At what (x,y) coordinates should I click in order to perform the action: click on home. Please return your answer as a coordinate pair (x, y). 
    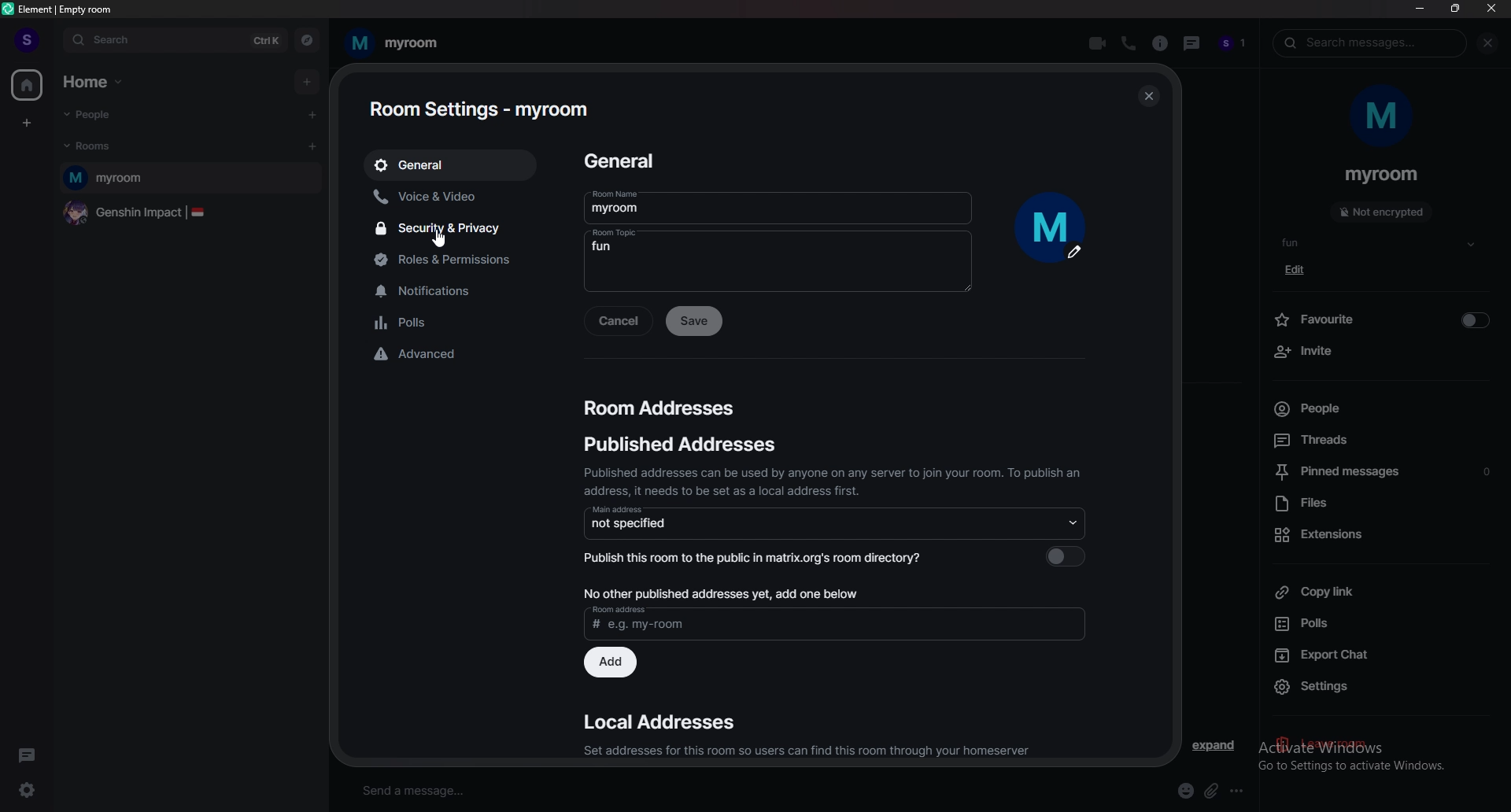
    Looking at the image, I should click on (102, 80).